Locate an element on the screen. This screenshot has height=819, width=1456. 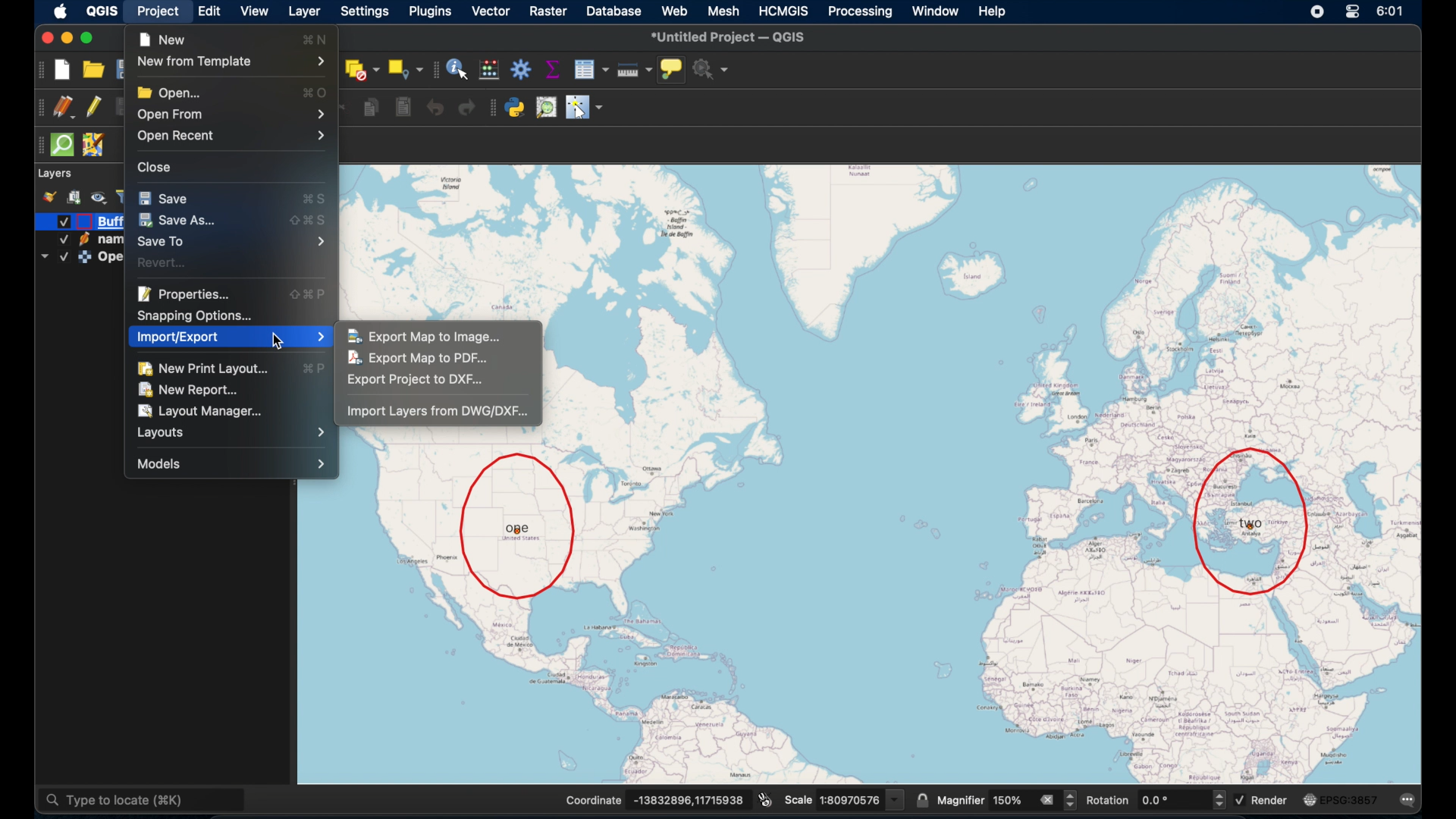
command P is located at coordinates (316, 369).